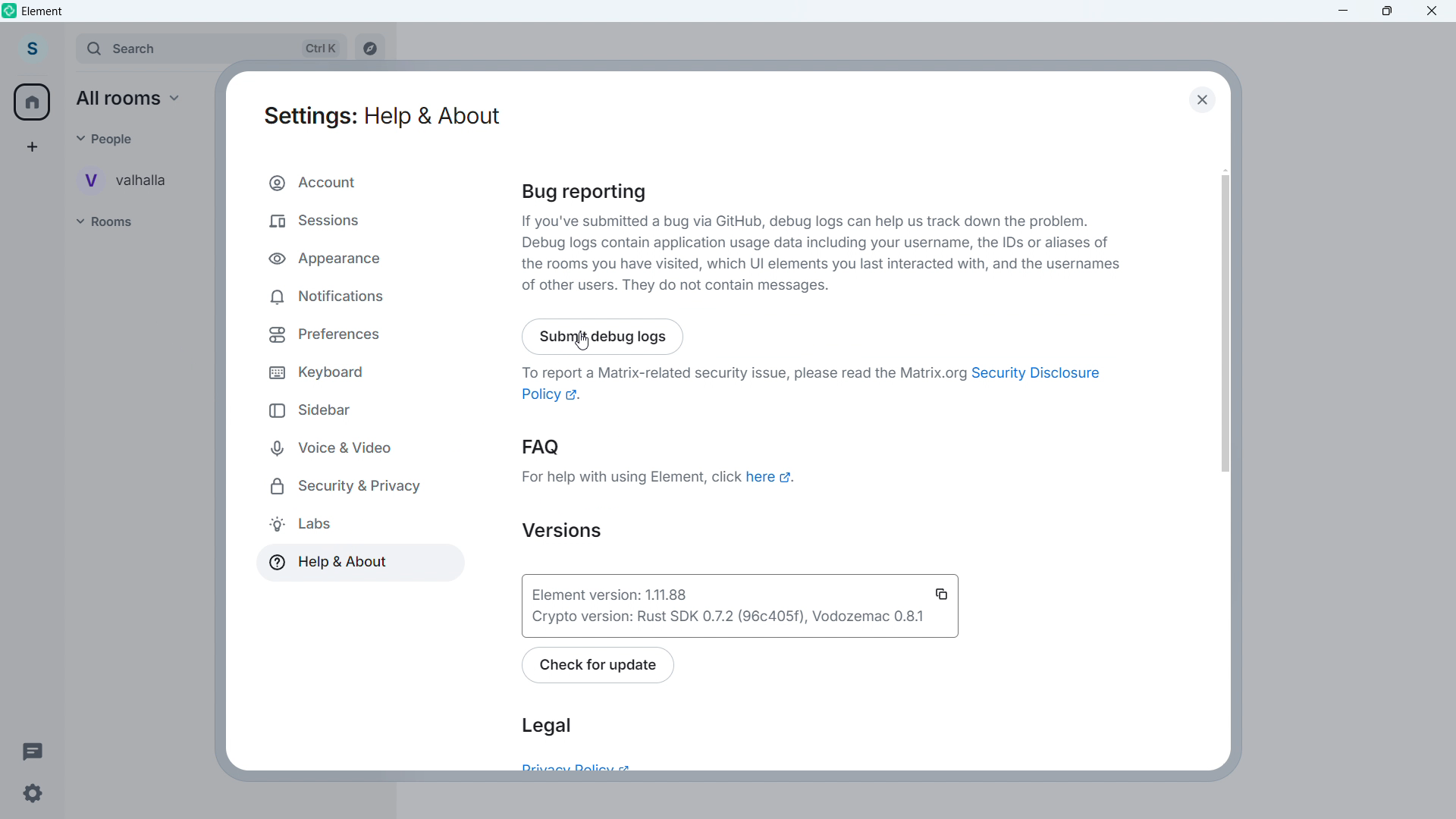 The image size is (1456, 819). What do you see at coordinates (807, 221) in the screenshot?
I see `if you've submitted a bug via Github, debug logs can help us track down the problem` at bounding box center [807, 221].